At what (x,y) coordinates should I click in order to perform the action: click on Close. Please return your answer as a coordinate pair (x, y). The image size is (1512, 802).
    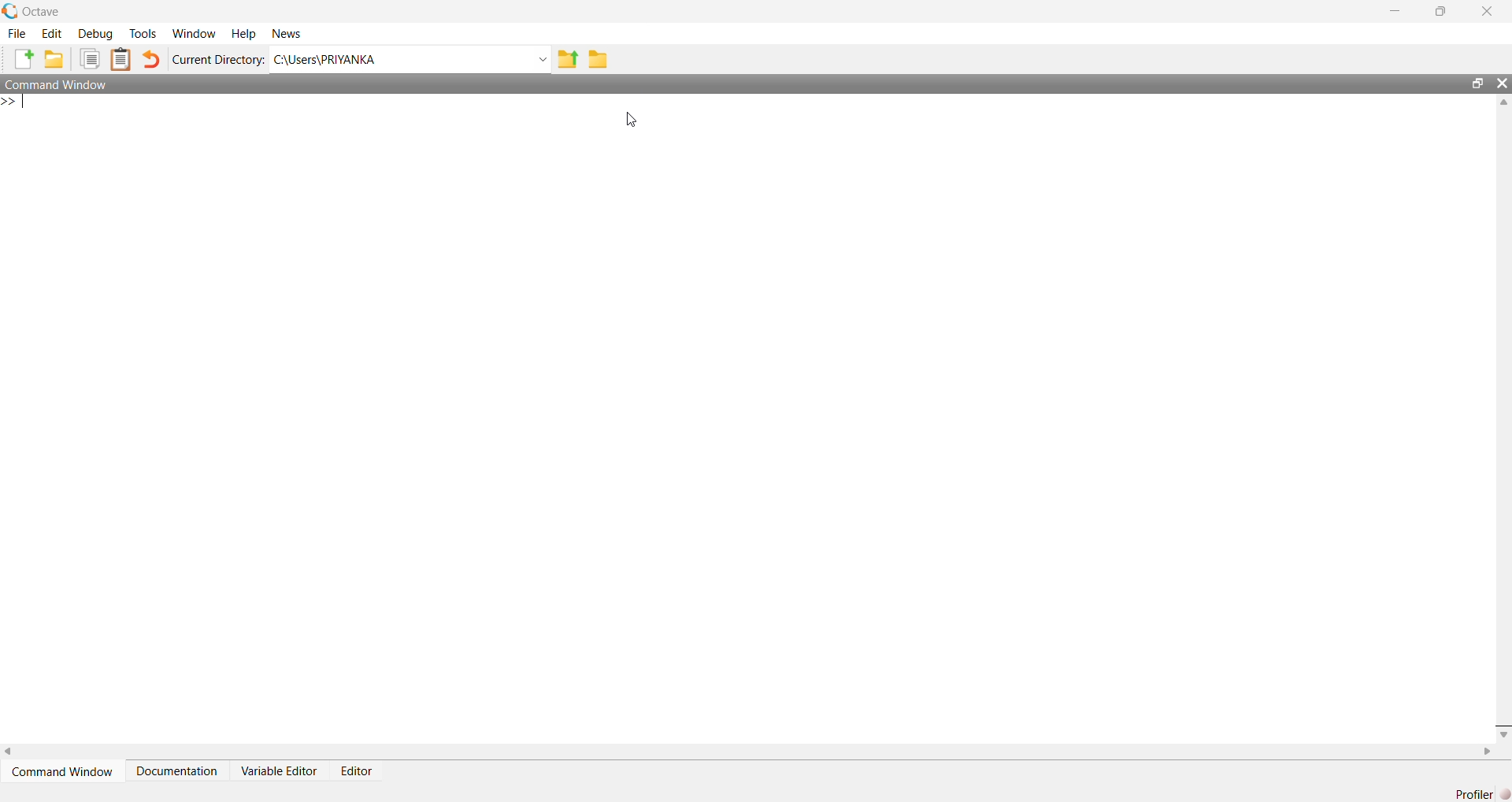
    Looking at the image, I should click on (1503, 87).